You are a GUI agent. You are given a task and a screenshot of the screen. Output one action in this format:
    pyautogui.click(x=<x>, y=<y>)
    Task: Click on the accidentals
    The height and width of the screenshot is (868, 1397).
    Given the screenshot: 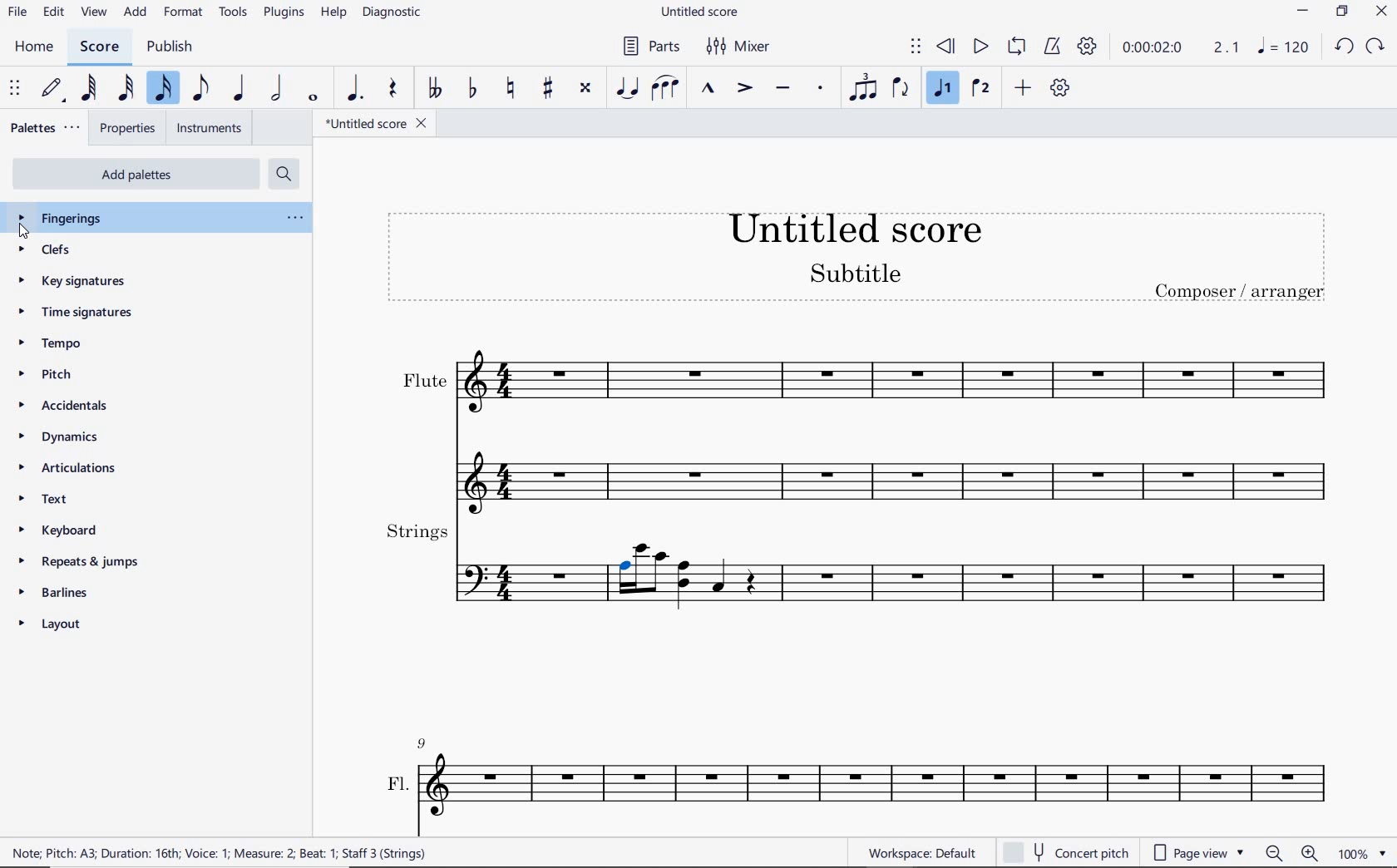 What is the action you would take?
    pyautogui.click(x=67, y=404)
    